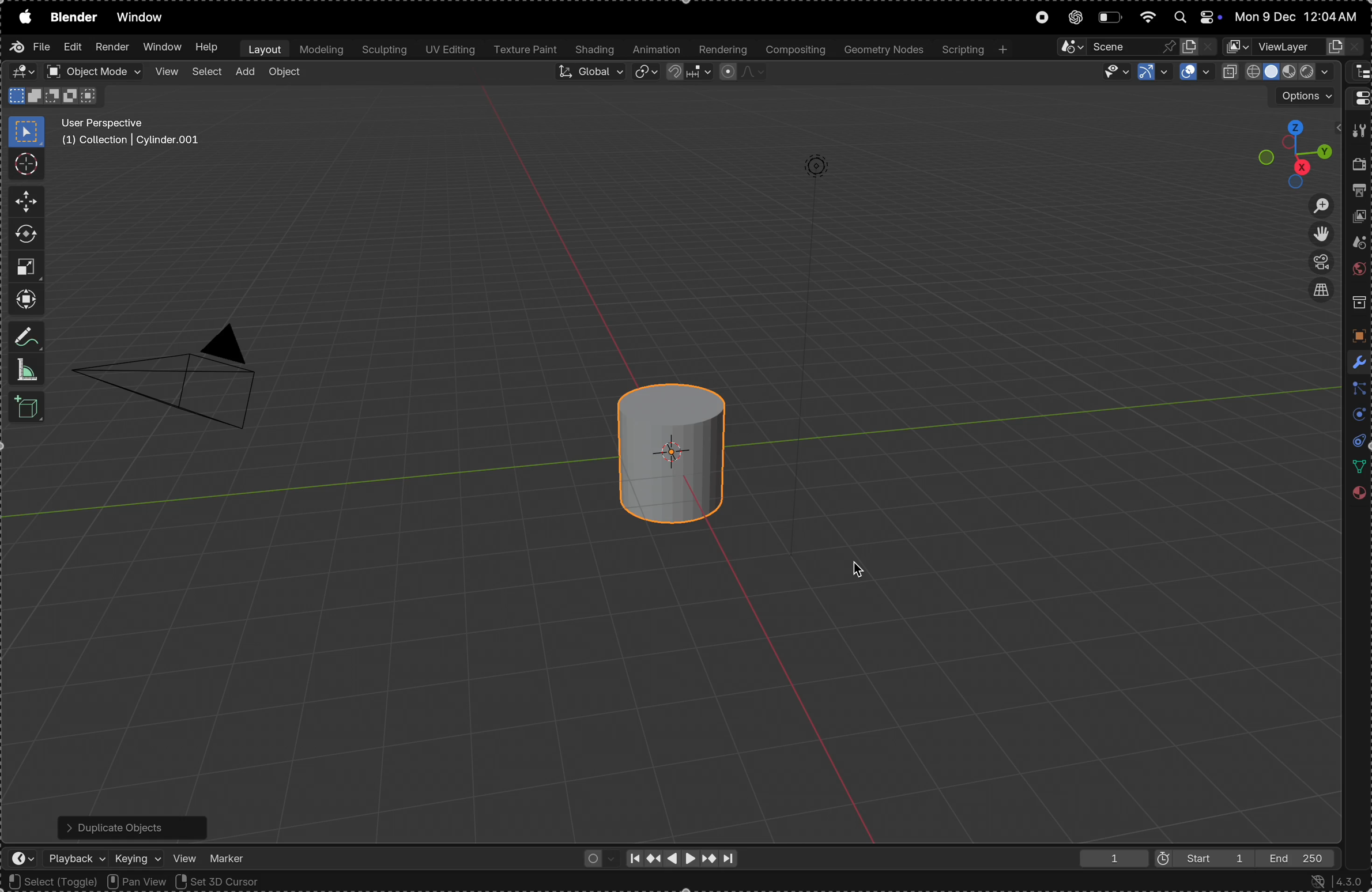 The width and height of the screenshot is (1372, 892). Describe the element at coordinates (112, 47) in the screenshot. I see `render` at that location.